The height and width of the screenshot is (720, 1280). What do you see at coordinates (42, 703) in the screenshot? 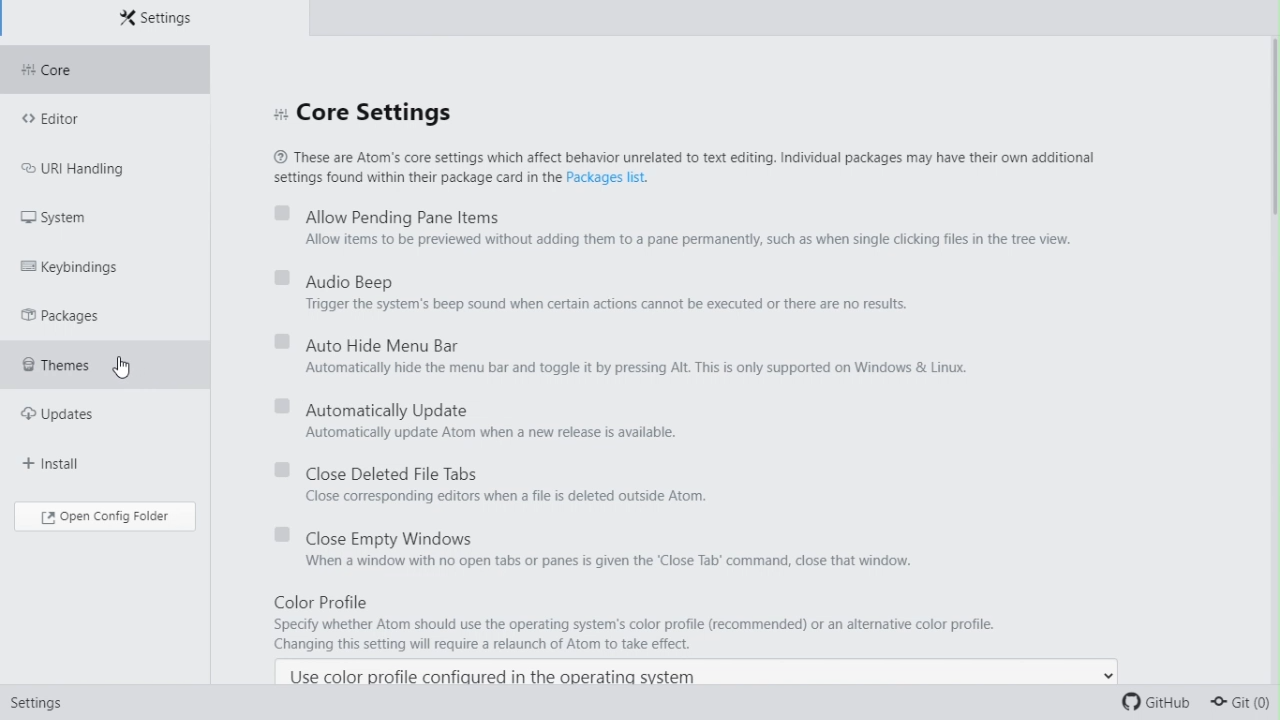
I see `setting` at bounding box center [42, 703].